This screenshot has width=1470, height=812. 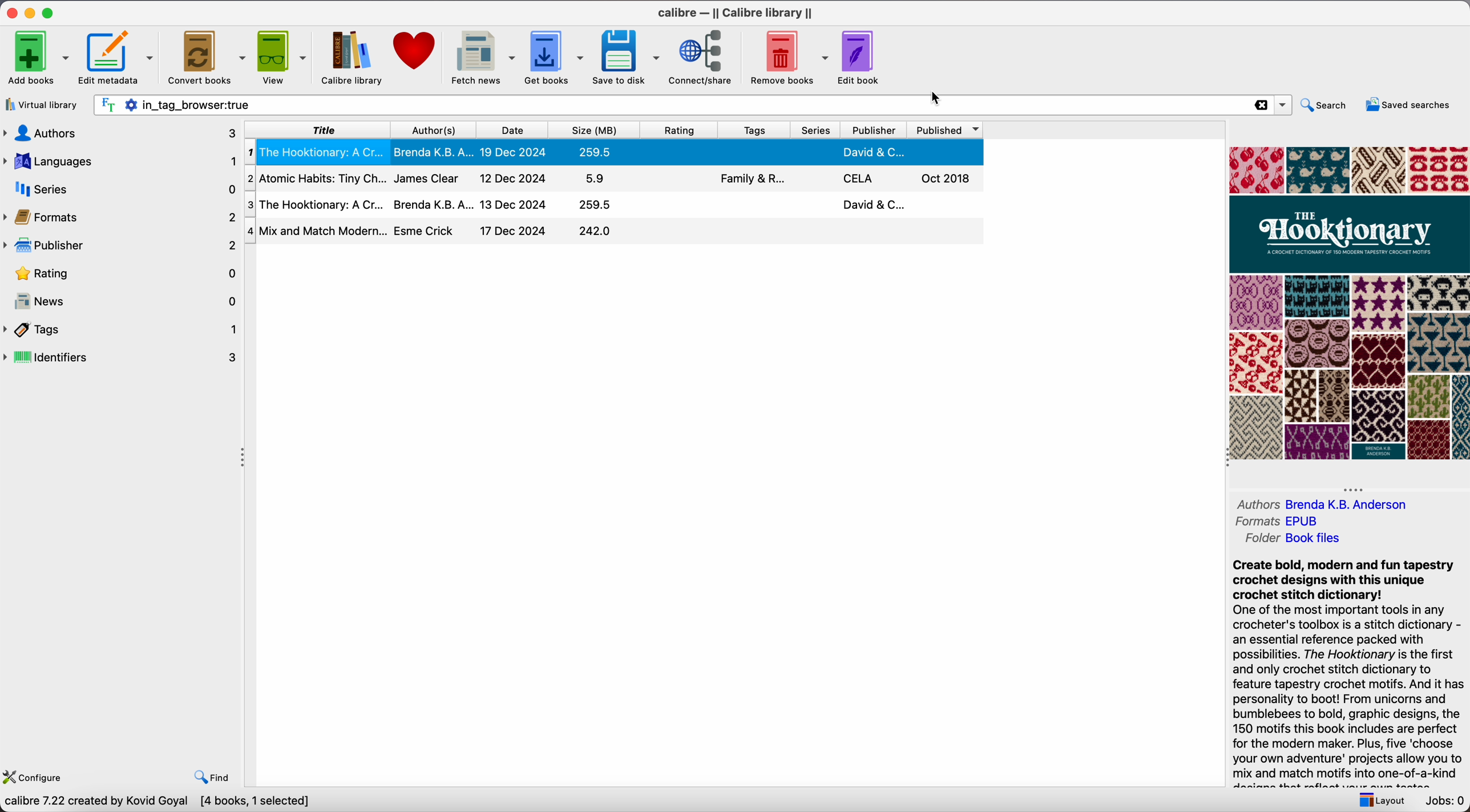 What do you see at coordinates (877, 129) in the screenshot?
I see `publisher` at bounding box center [877, 129].